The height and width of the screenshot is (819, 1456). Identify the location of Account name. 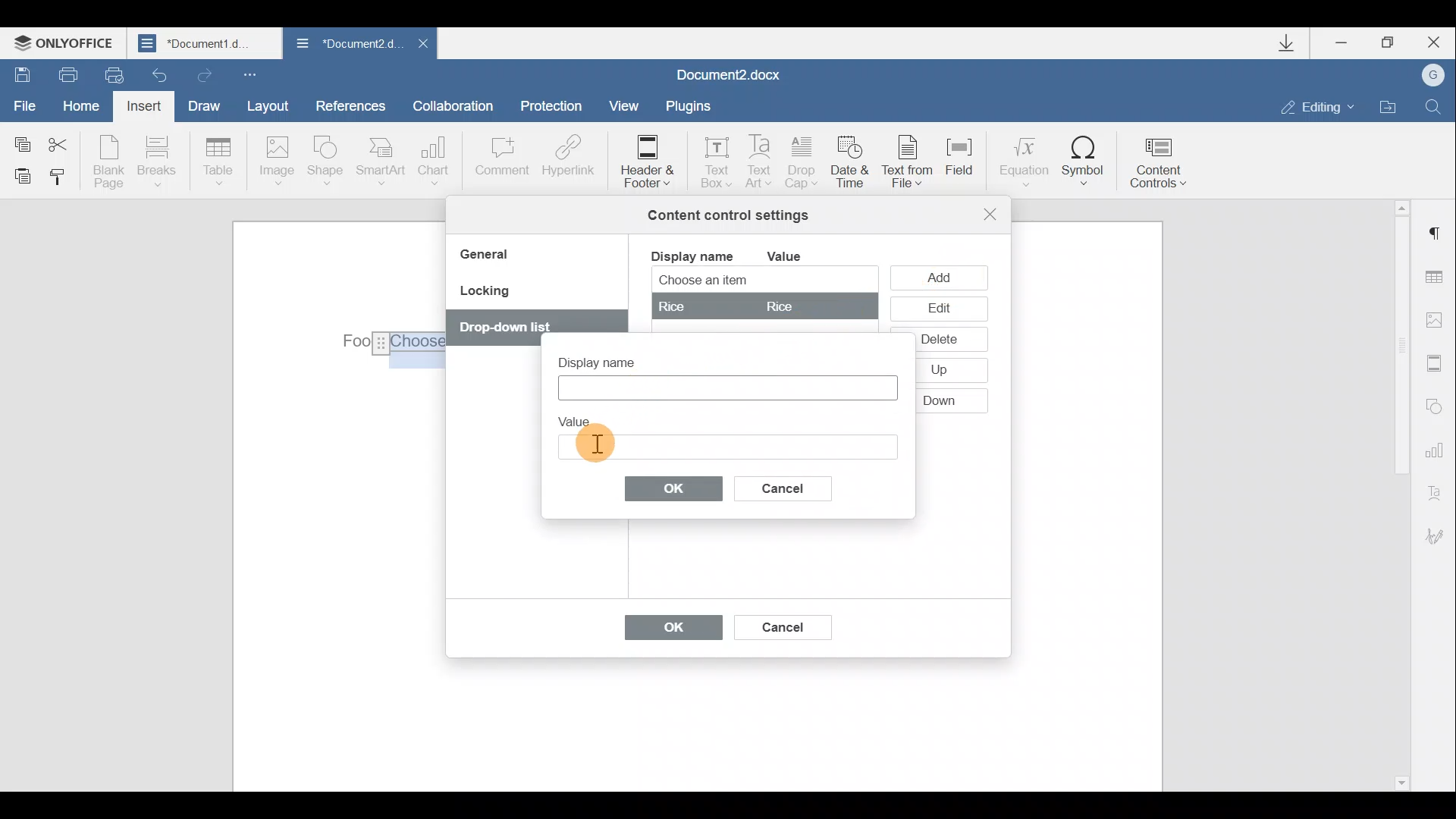
(1428, 76).